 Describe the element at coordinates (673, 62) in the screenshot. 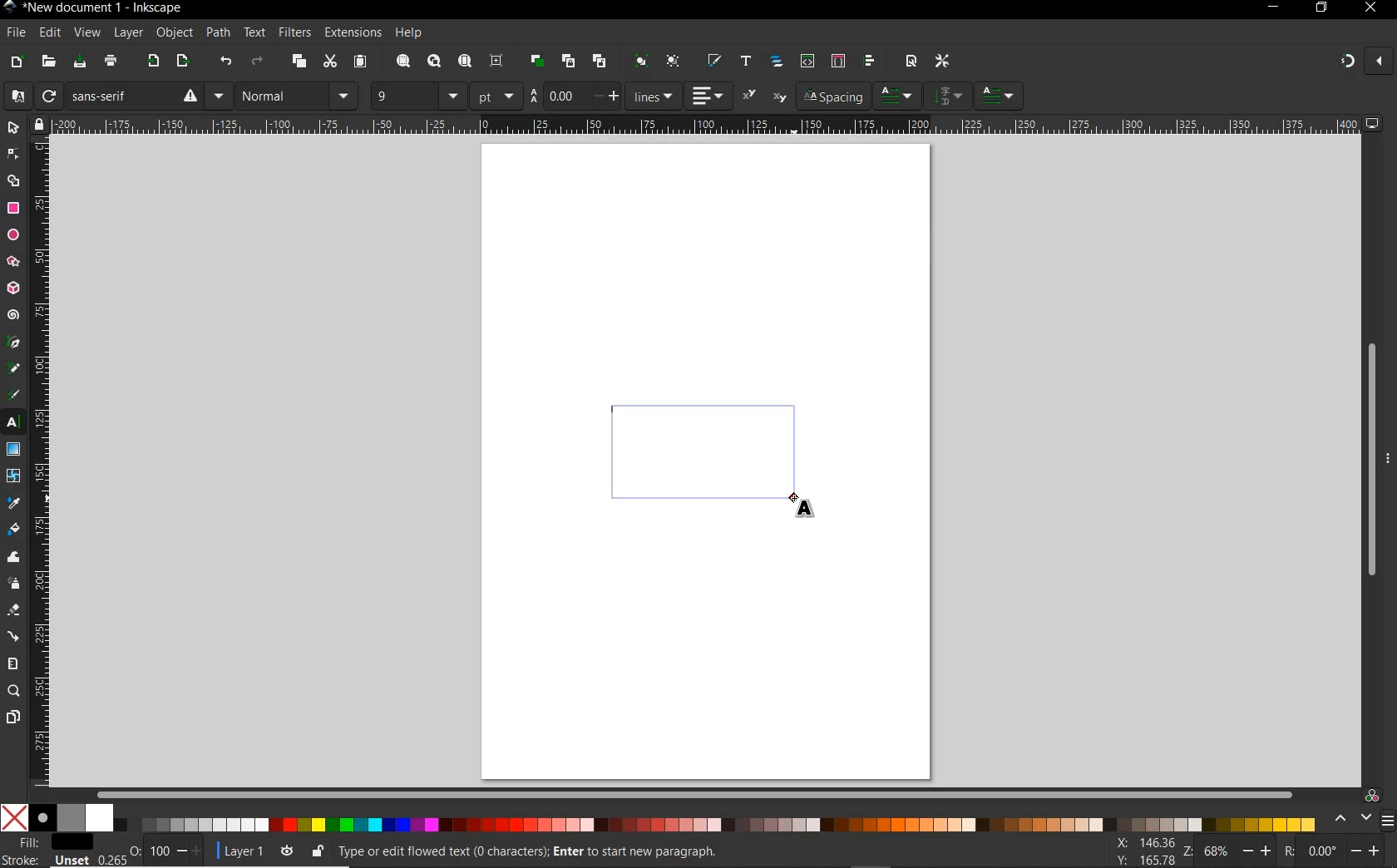

I see `ungroup` at that location.